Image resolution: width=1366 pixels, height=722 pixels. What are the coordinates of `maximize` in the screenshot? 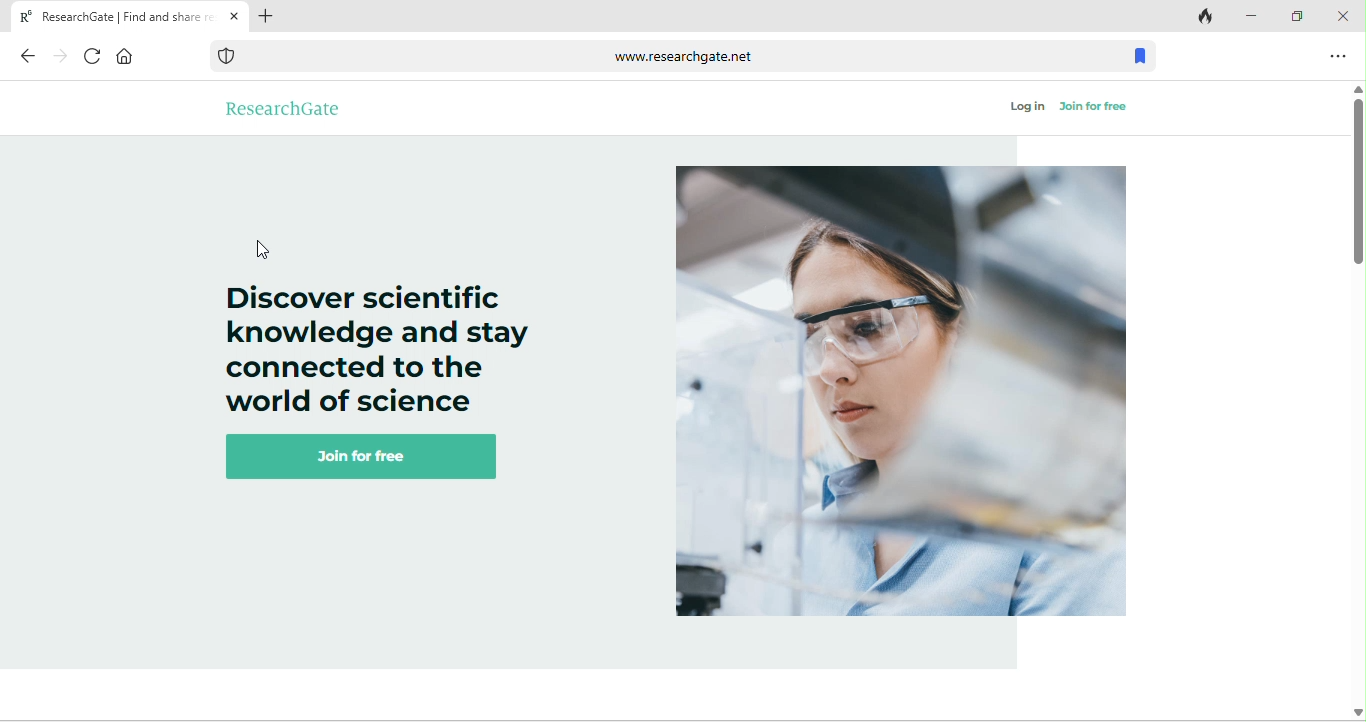 It's located at (1295, 15).